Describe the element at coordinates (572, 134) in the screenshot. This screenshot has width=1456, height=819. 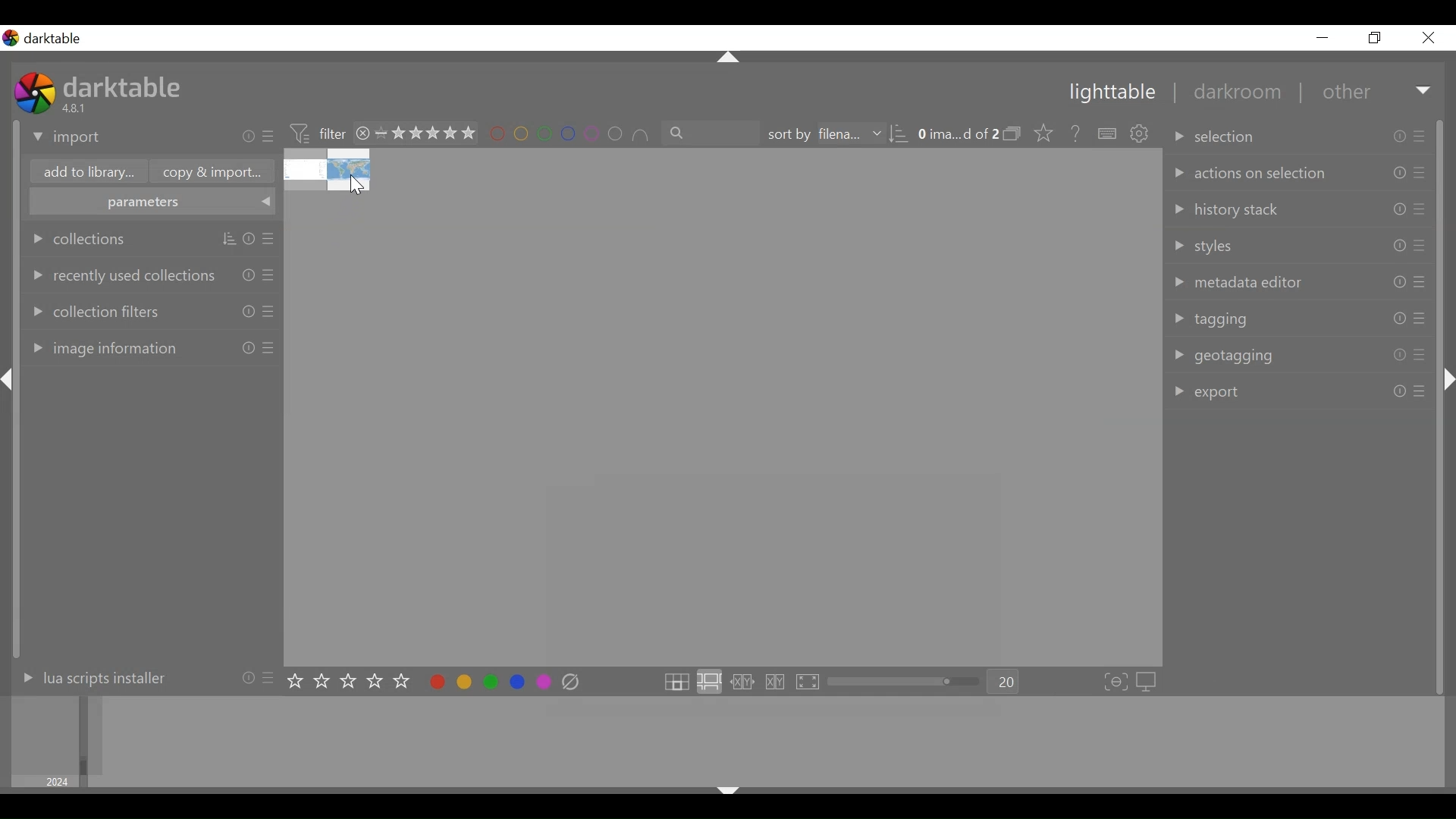
I see `set color labels` at that location.